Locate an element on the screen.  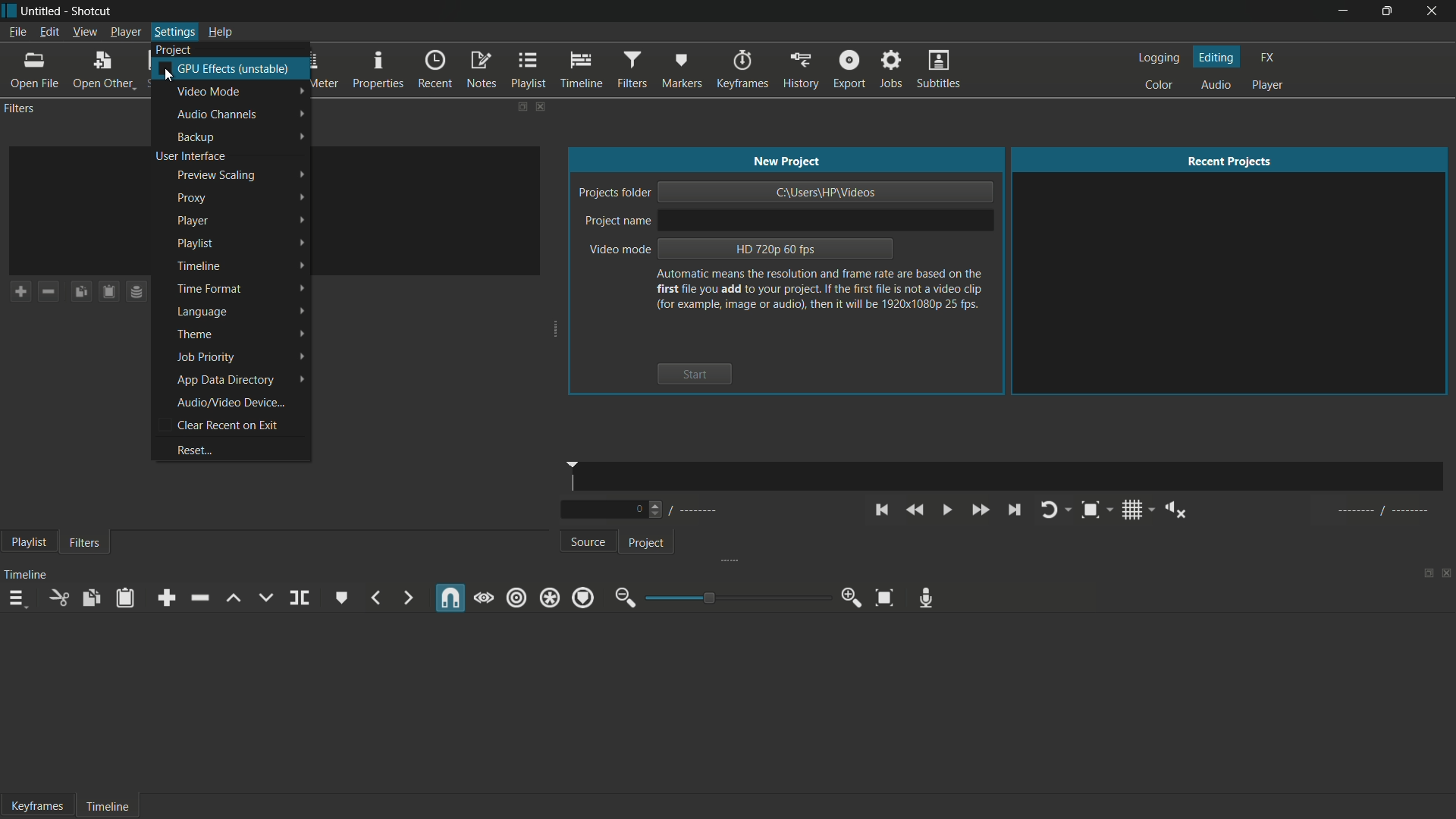
toggle play or pause is located at coordinates (947, 510).